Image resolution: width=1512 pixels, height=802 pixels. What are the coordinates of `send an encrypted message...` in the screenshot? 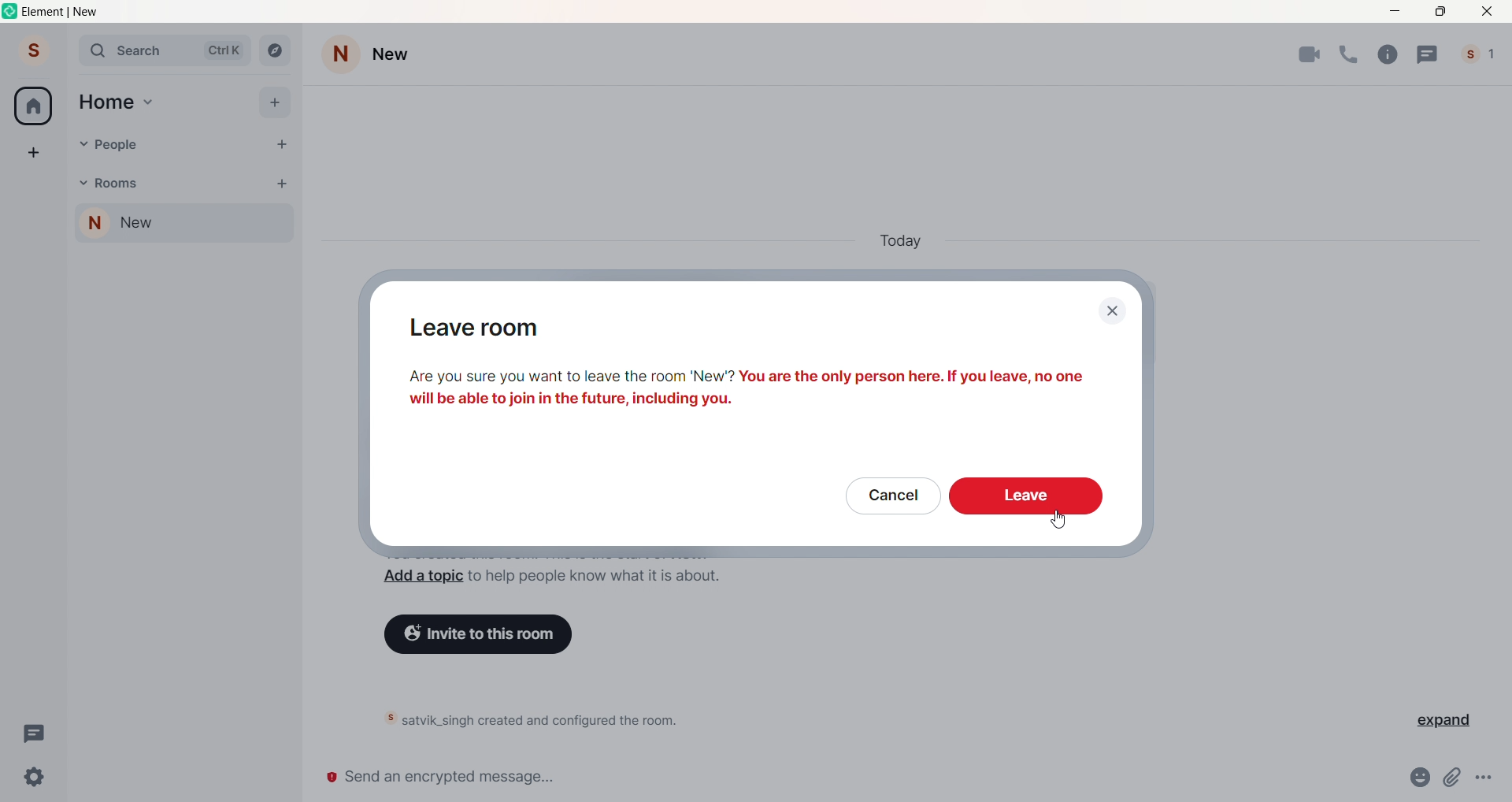 It's located at (852, 779).